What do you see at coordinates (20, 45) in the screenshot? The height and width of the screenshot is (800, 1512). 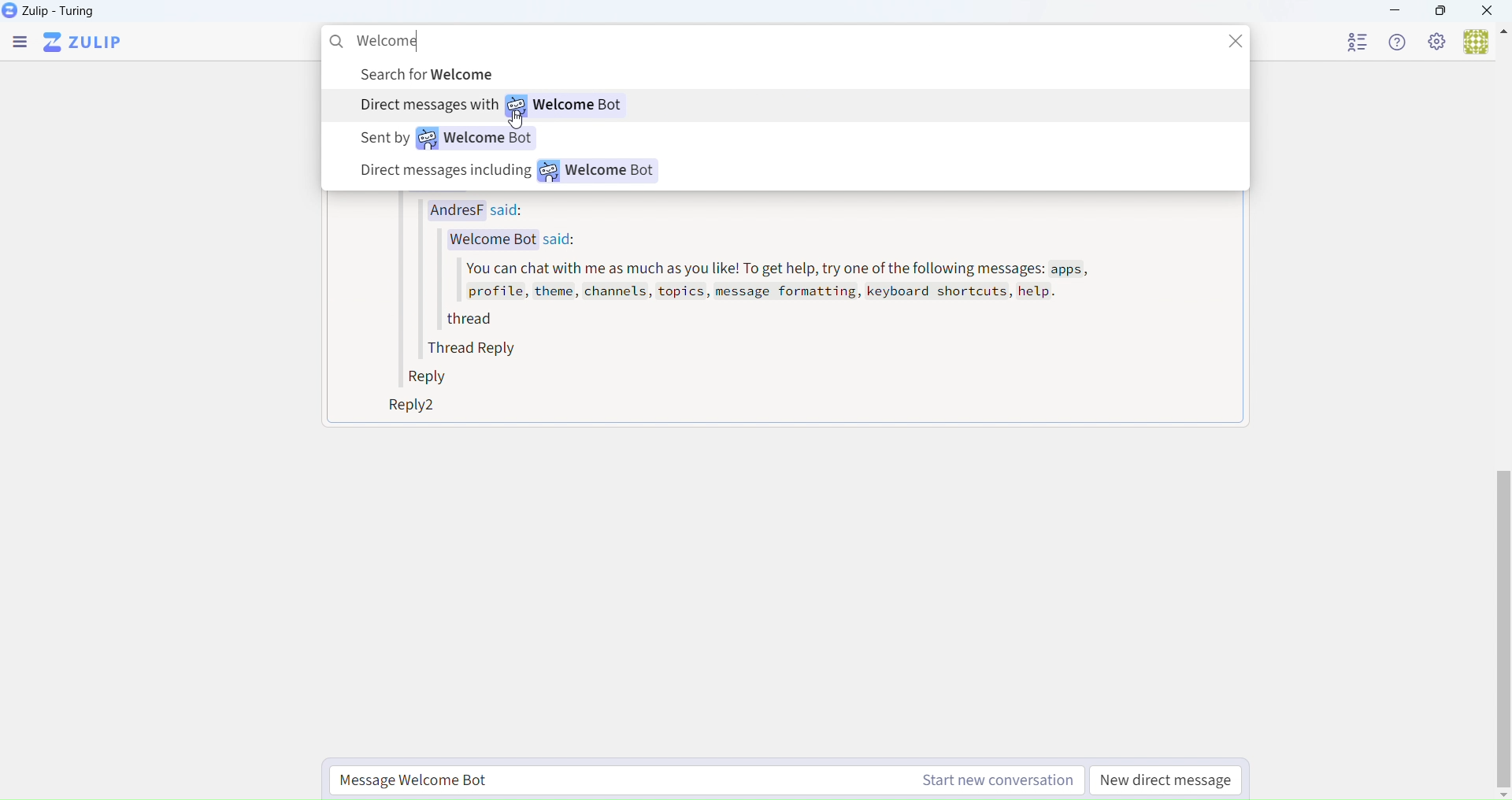 I see `Menu Bar` at bounding box center [20, 45].